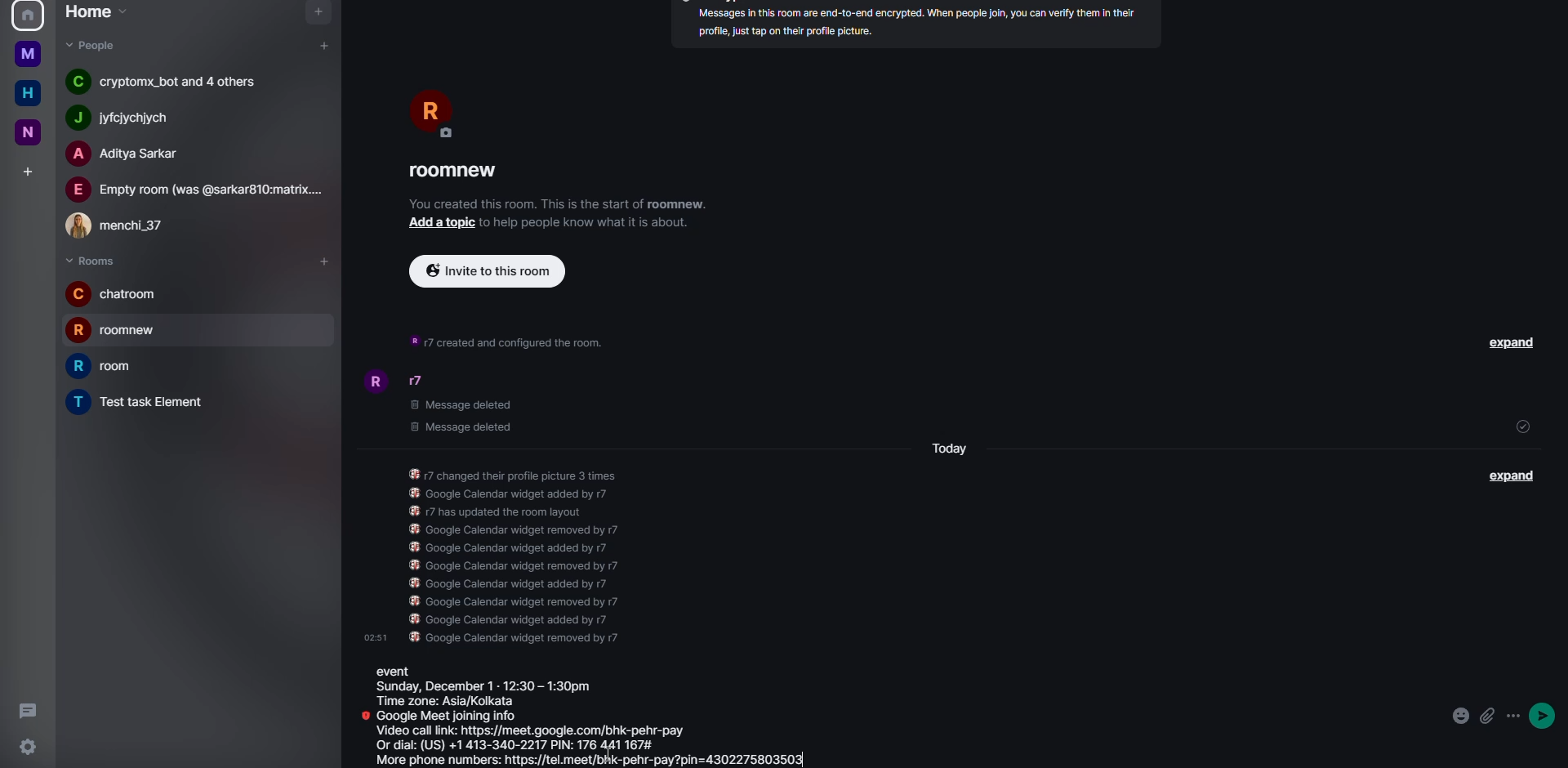 The width and height of the screenshot is (1568, 768). What do you see at coordinates (1546, 712) in the screenshot?
I see `send` at bounding box center [1546, 712].